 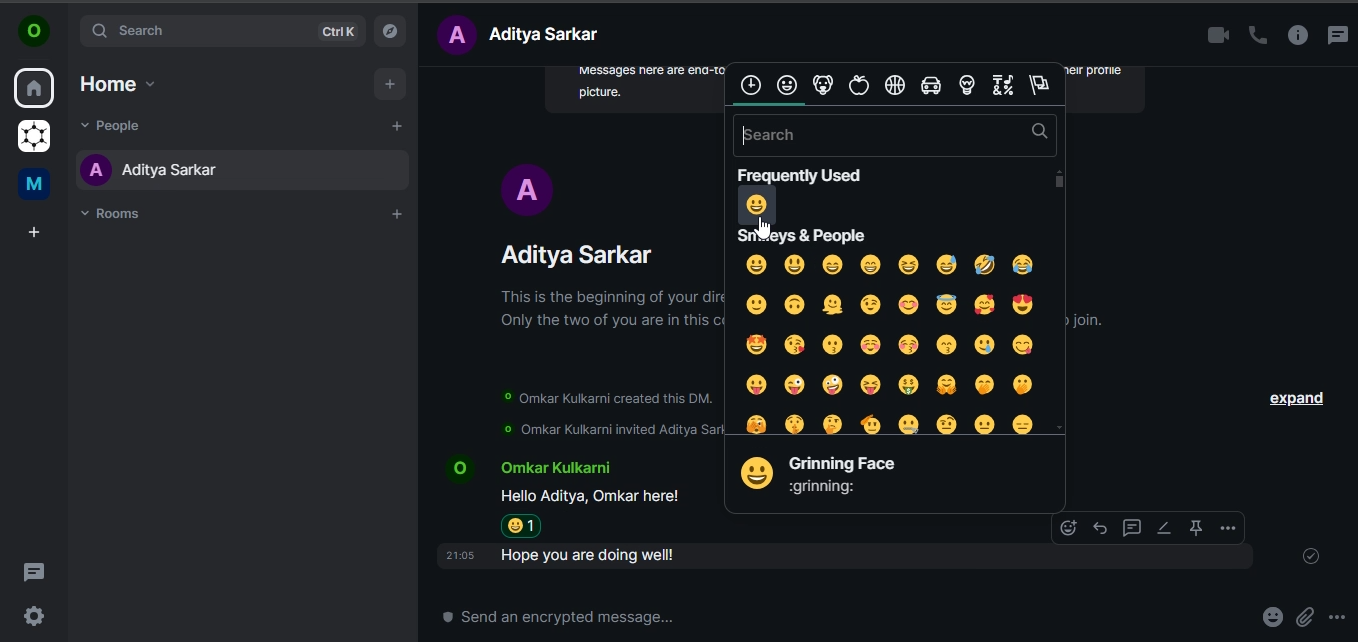 What do you see at coordinates (456, 467) in the screenshot?
I see `Avatar` at bounding box center [456, 467].